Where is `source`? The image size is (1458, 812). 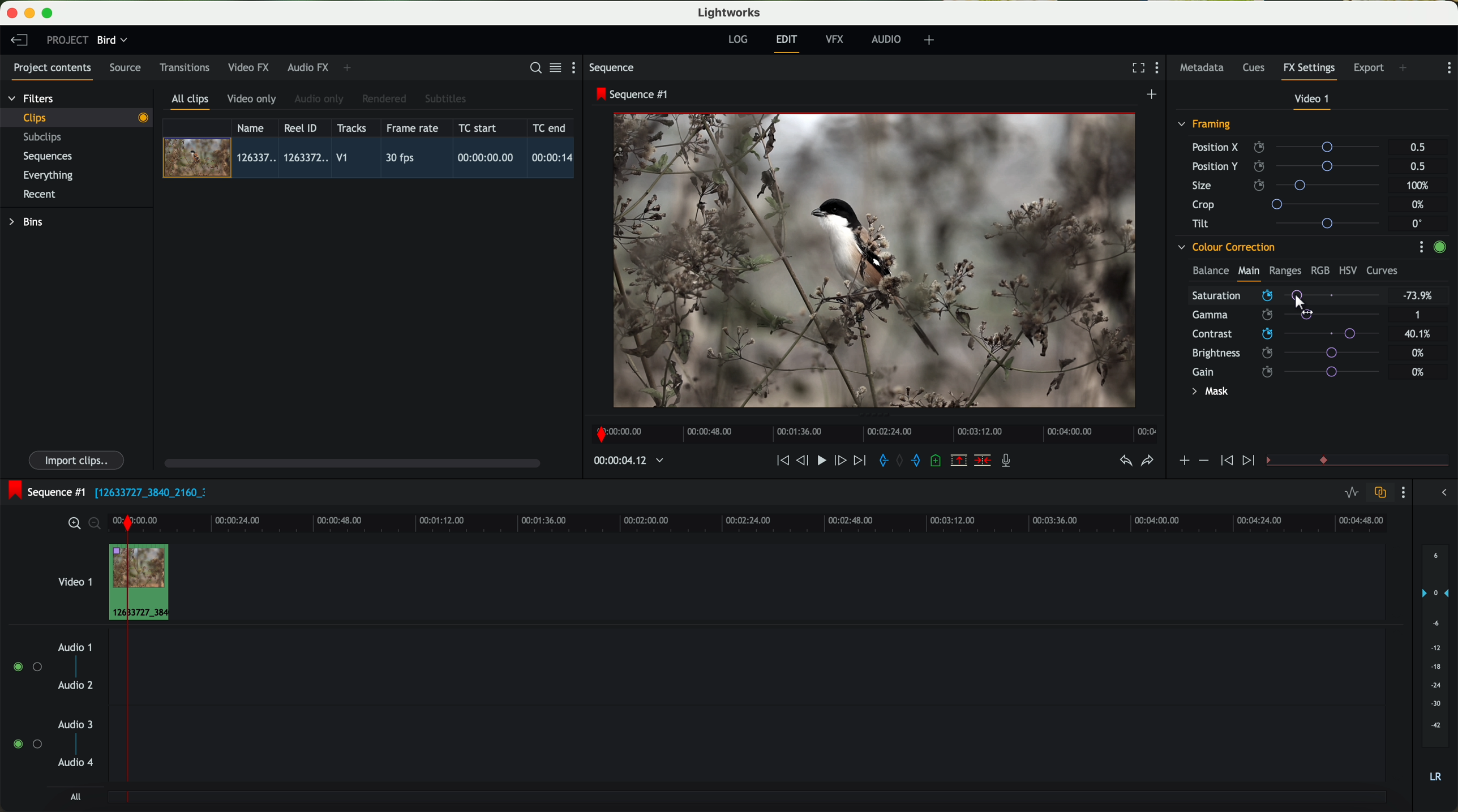
source is located at coordinates (125, 68).